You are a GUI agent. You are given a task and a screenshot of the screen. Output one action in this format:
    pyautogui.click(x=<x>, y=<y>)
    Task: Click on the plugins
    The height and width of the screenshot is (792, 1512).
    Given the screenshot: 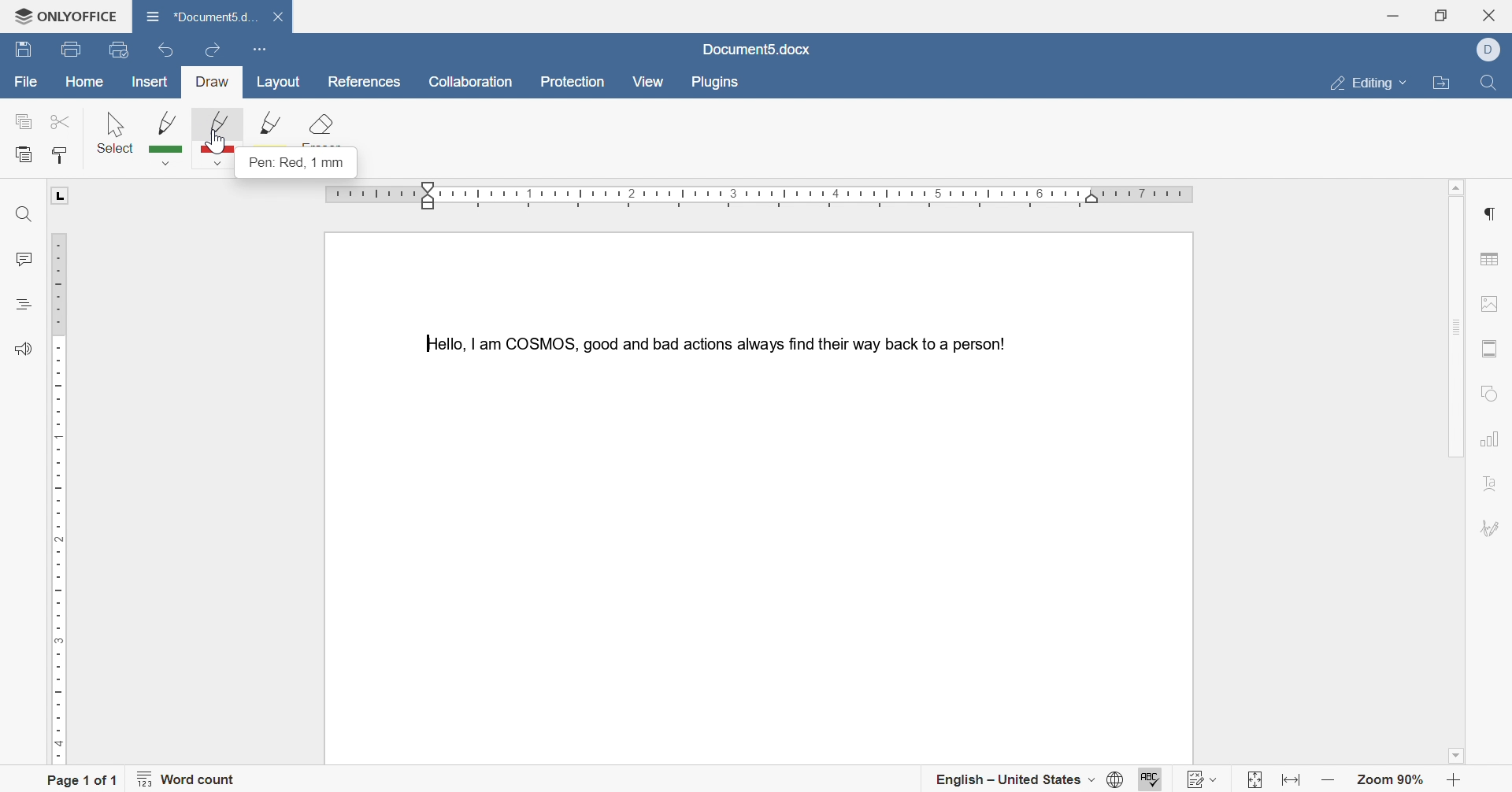 What is the action you would take?
    pyautogui.click(x=716, y=83)
    